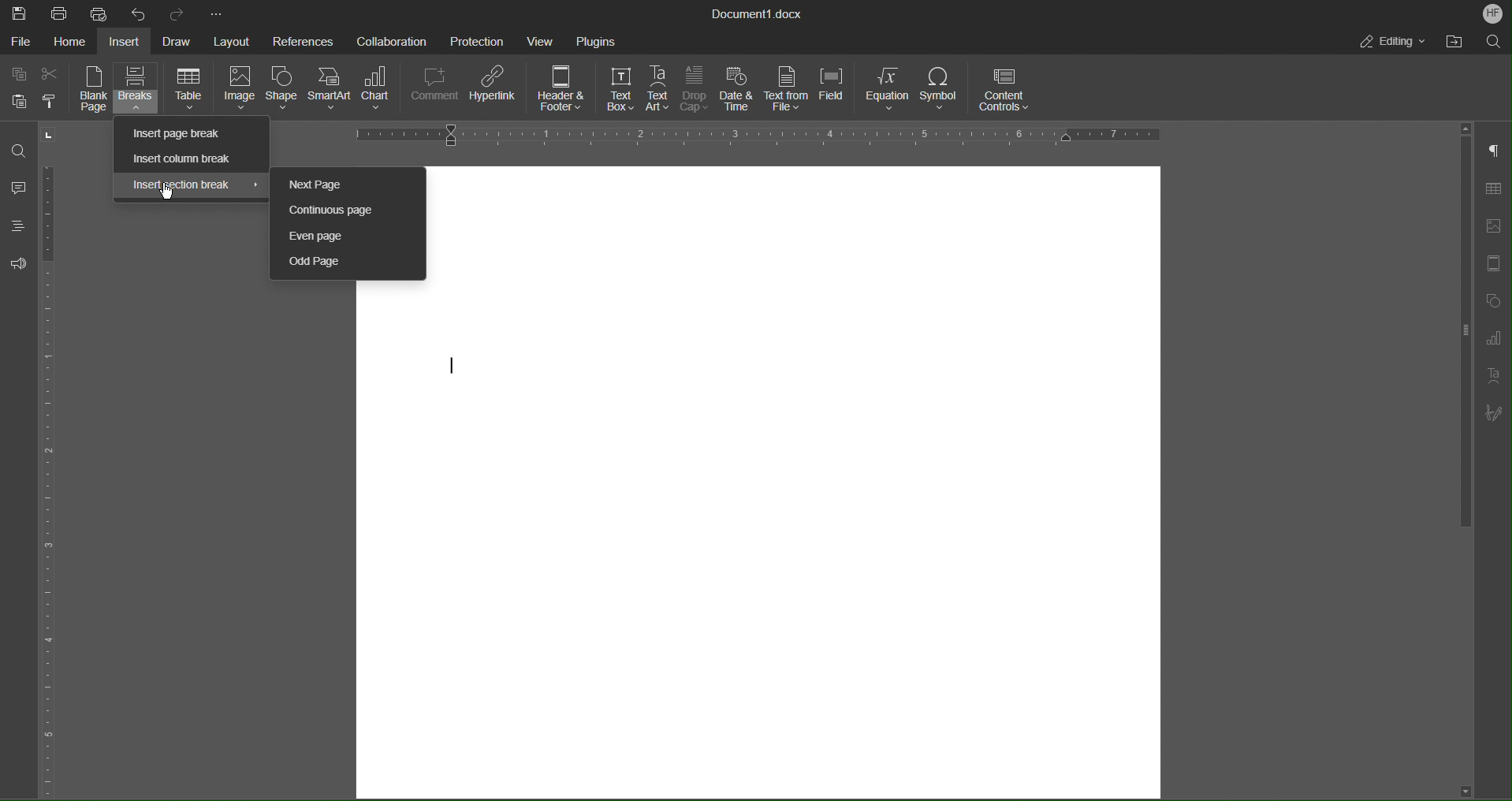 The image size is (1512, 801). What do you see at coordinates (93, 89) in the screenshot?
I see `Blank Page` at bounding box center [93, 89].